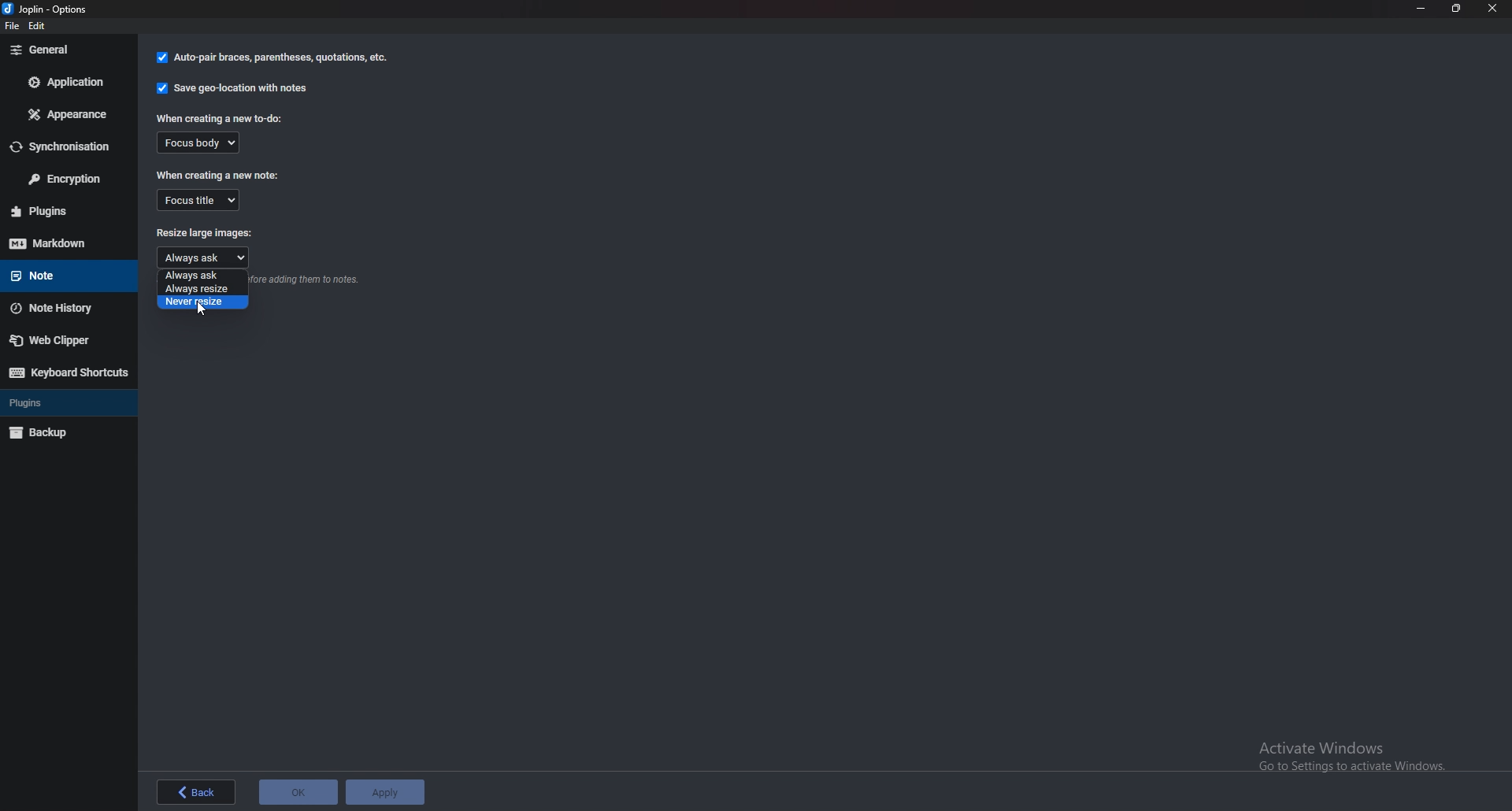  What do you see at coordinates (67, 372) in the screenshot?
I see `Keyboard shortcuts` at bounding box center [67, 372].